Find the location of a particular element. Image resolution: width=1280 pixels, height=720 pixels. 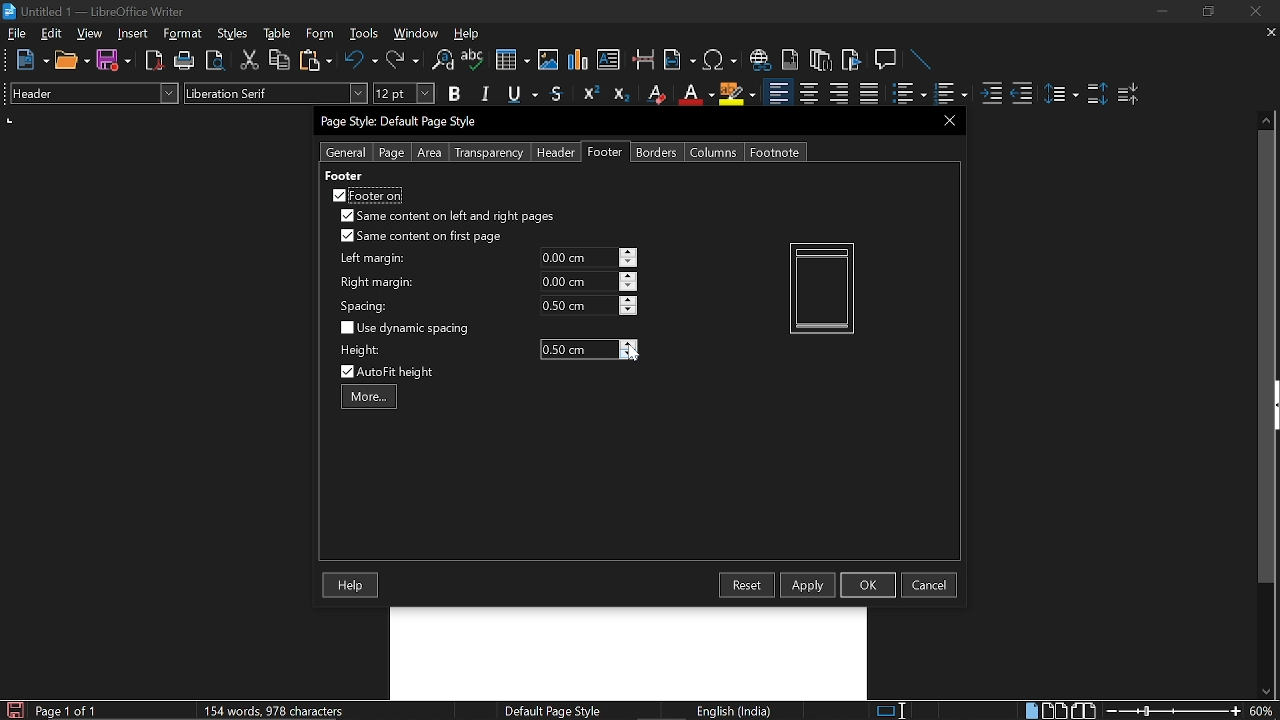

Transparency is located at coordinates (487, 153).